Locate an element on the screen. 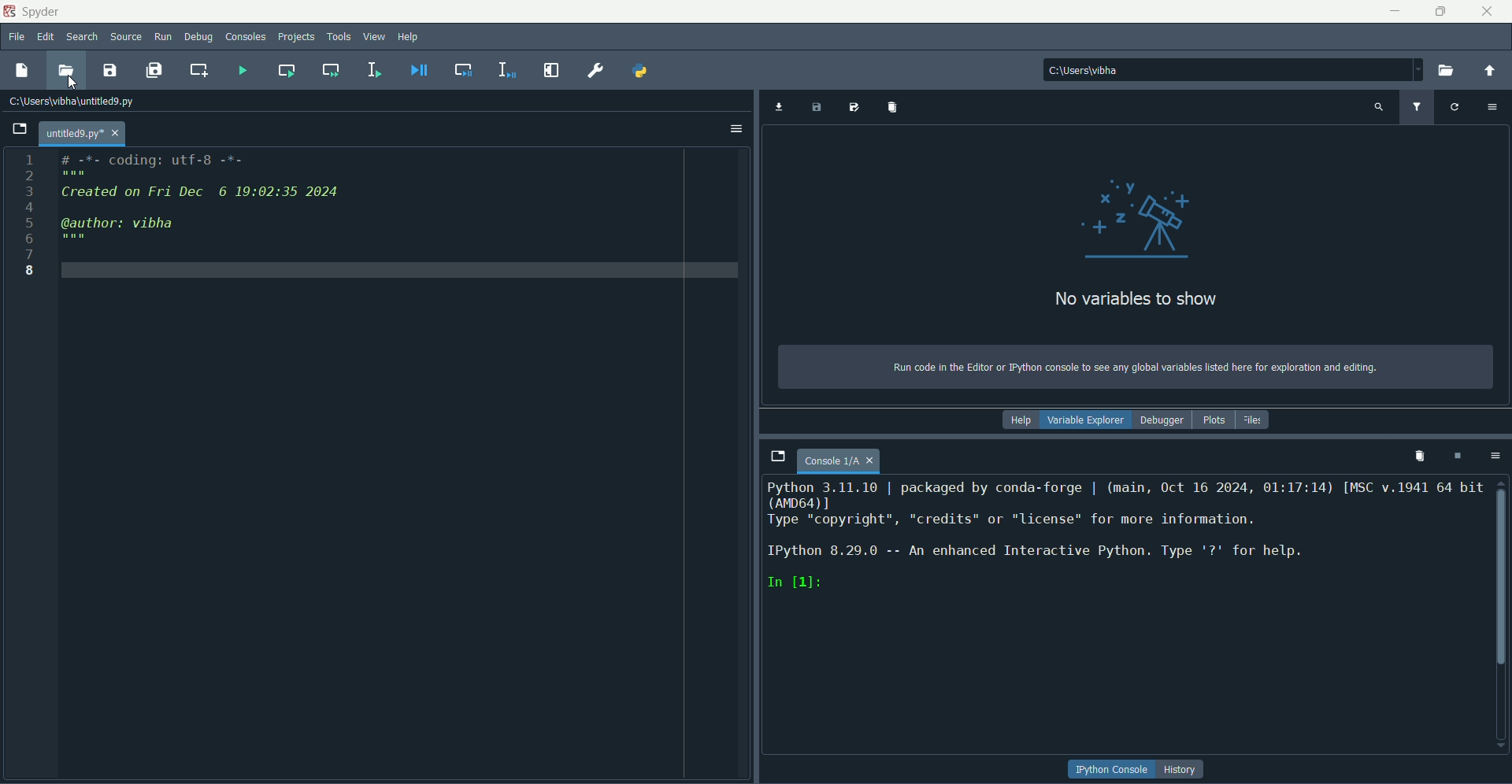 Image resolution: width=1512 pixels, height=784 pixels. browse tabs is located at coordinates (778, 456).